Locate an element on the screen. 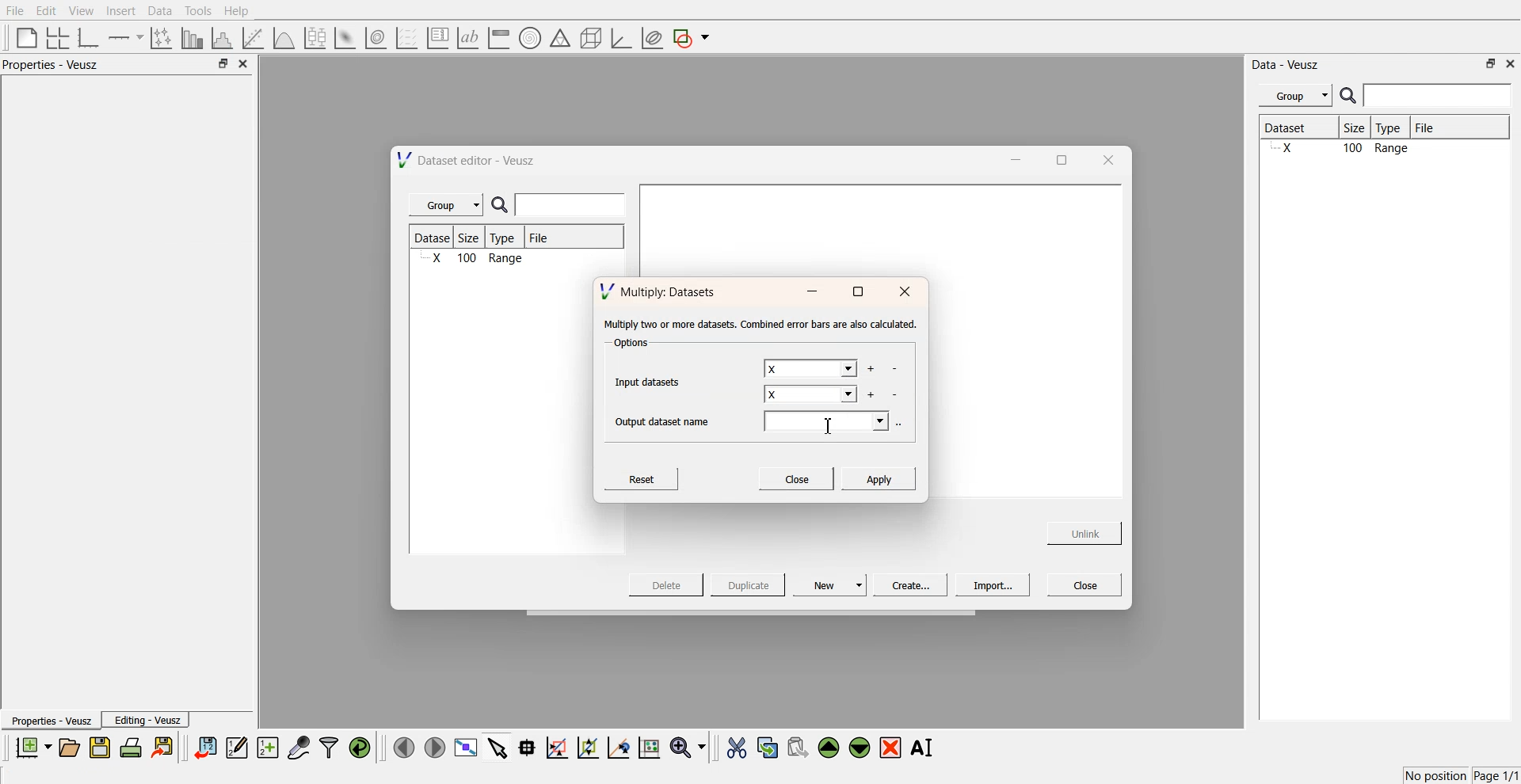 The image size is (1521, 784). minimise or maximise is located at coordinates (1491, 63).